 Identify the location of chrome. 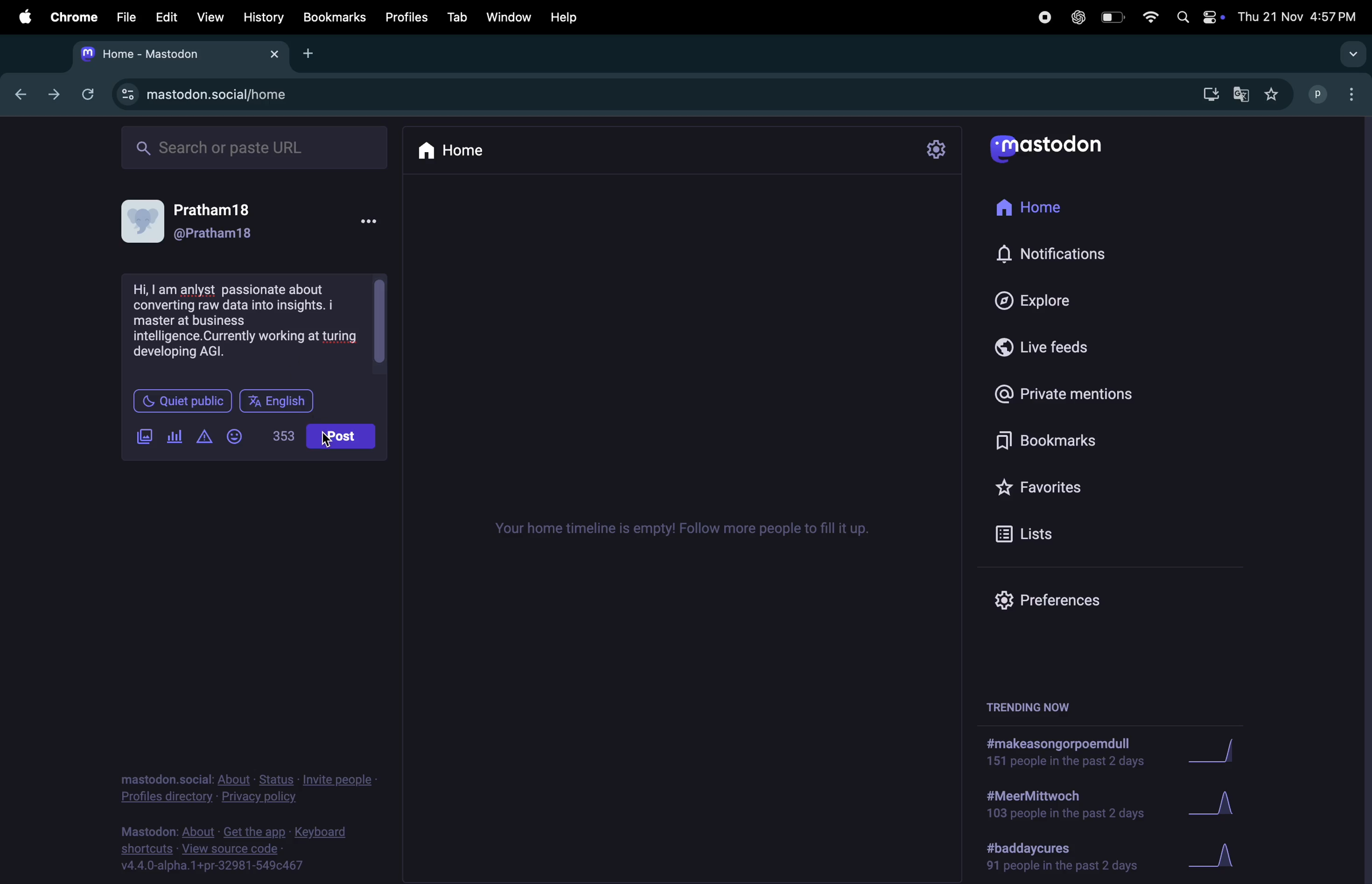
(70, 17).